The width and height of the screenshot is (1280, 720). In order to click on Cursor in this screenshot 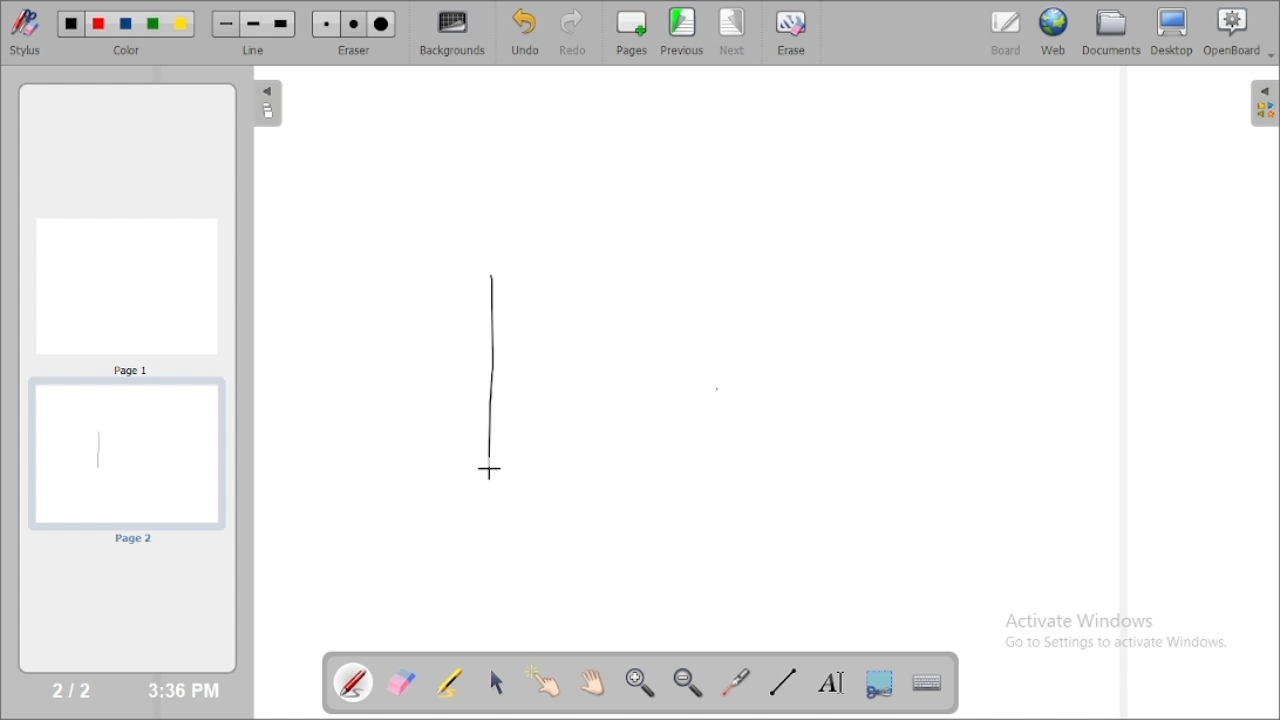, I will do `click(490, 472)`.